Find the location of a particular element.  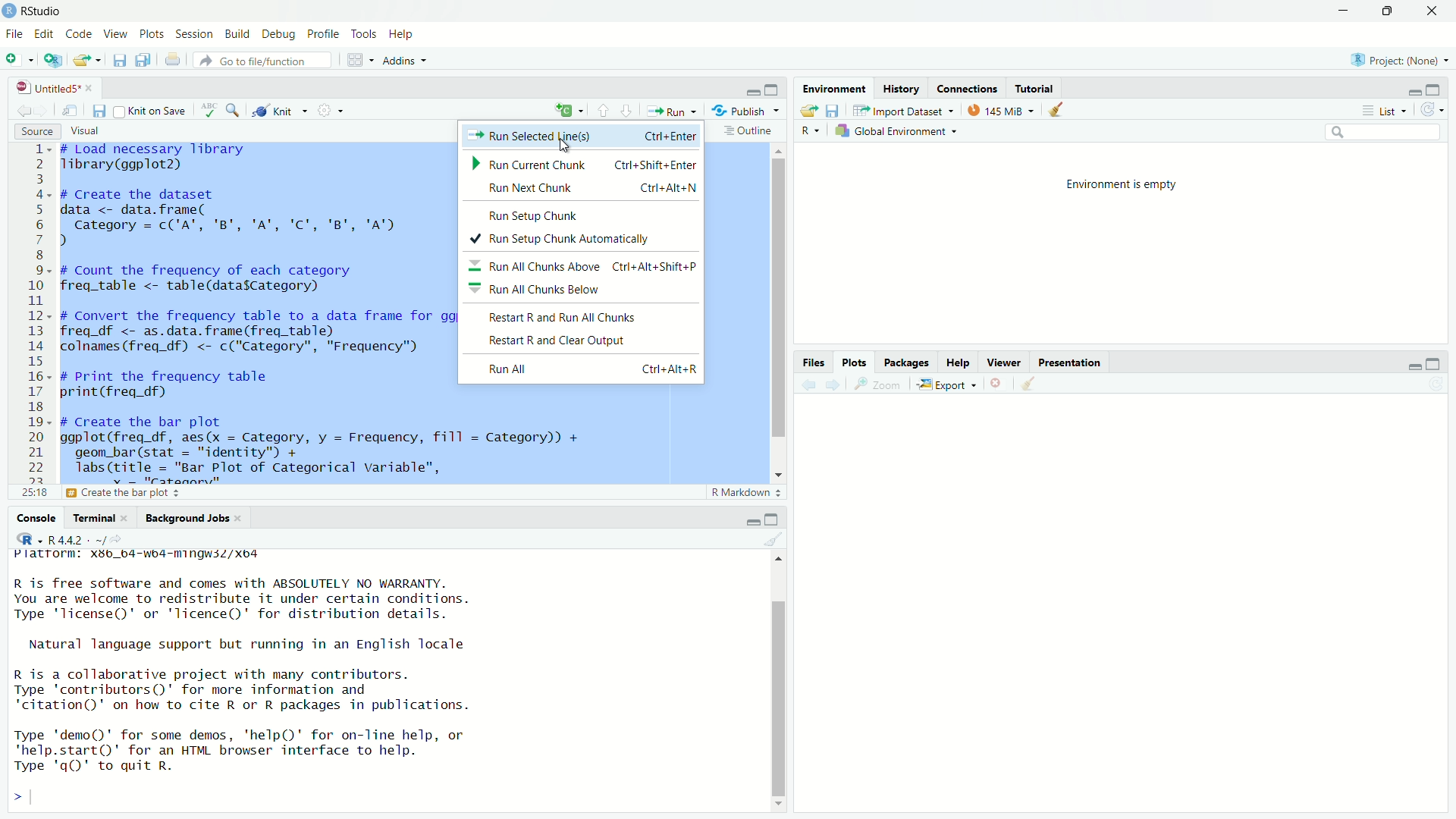

workspace panes is located at coordinates (358, 62).